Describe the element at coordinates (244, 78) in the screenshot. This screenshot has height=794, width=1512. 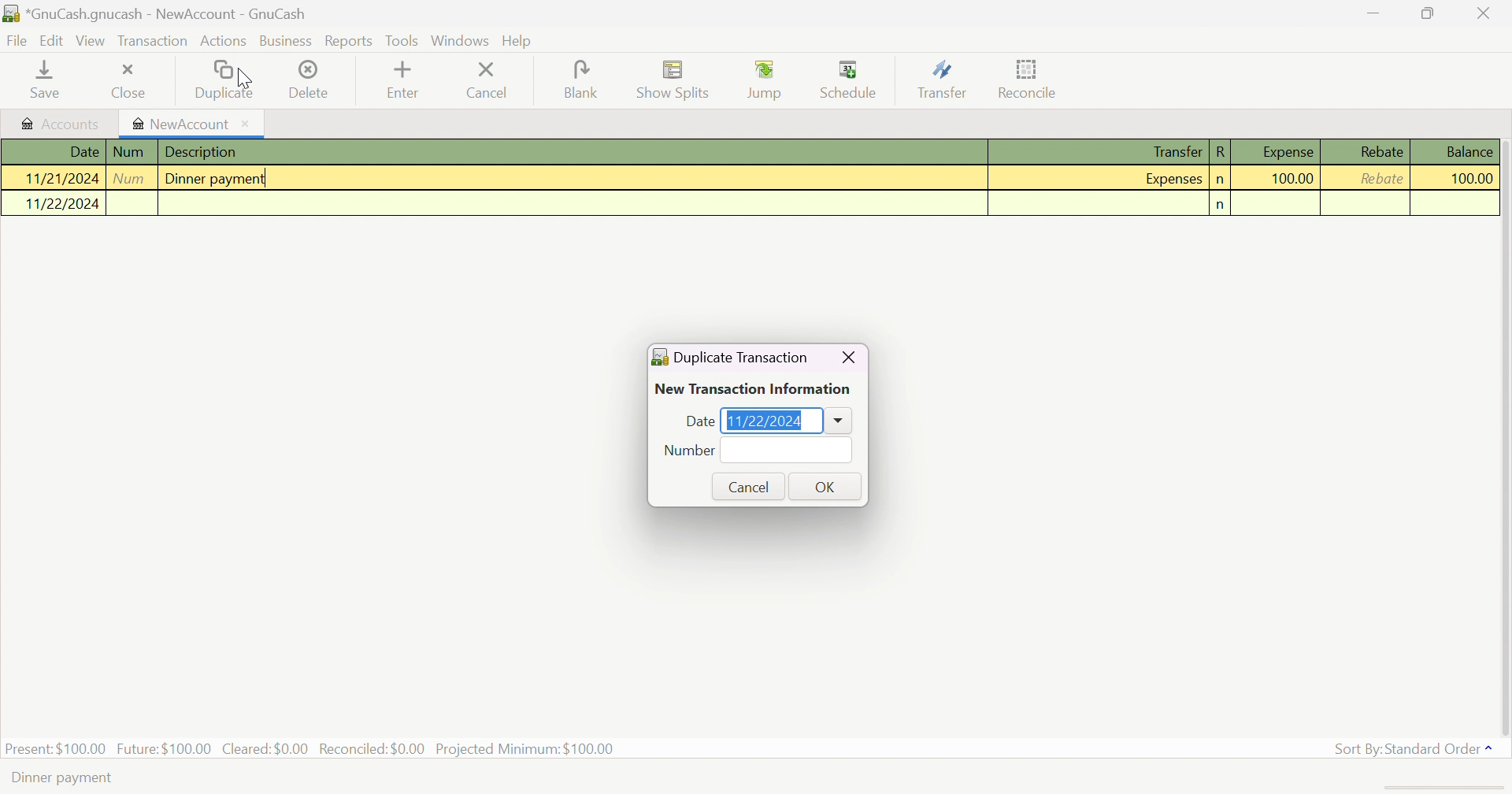
I see `Cursor` at that location.